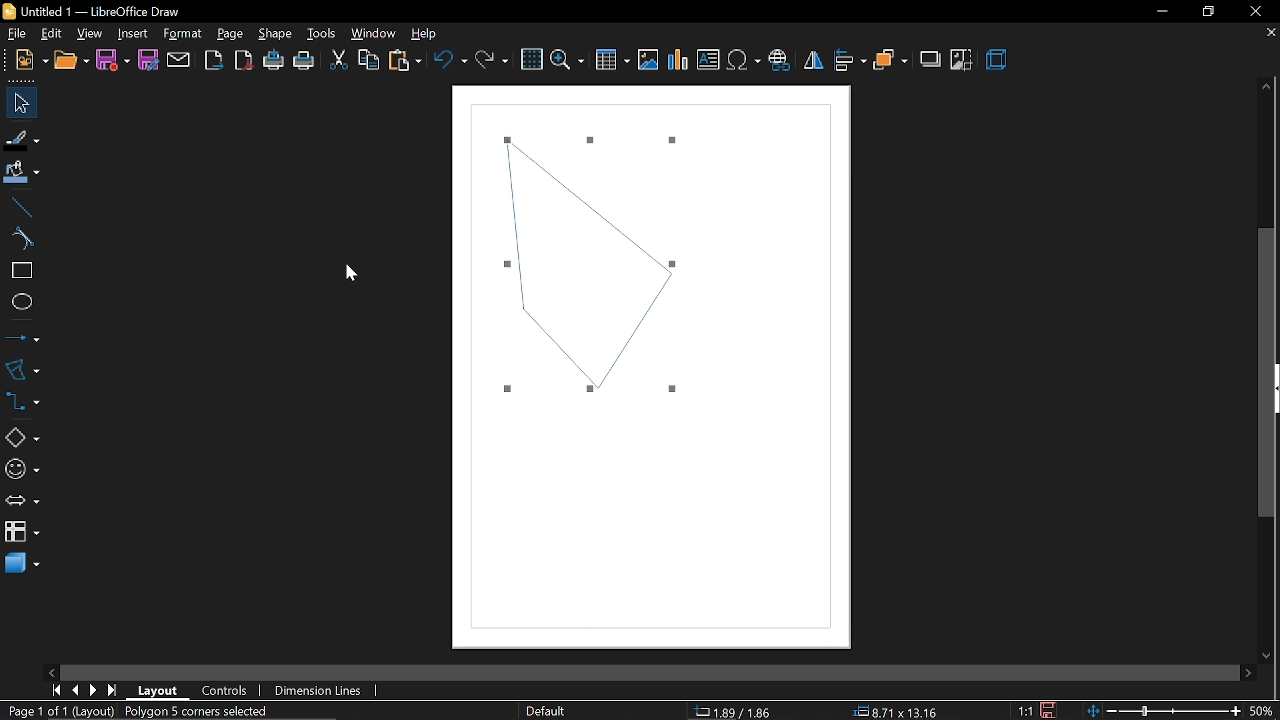 This screenshot has width=1280, height=720. Describe the element at coordinates (932, 58) in the screenshot. I see `shadow` at that location.